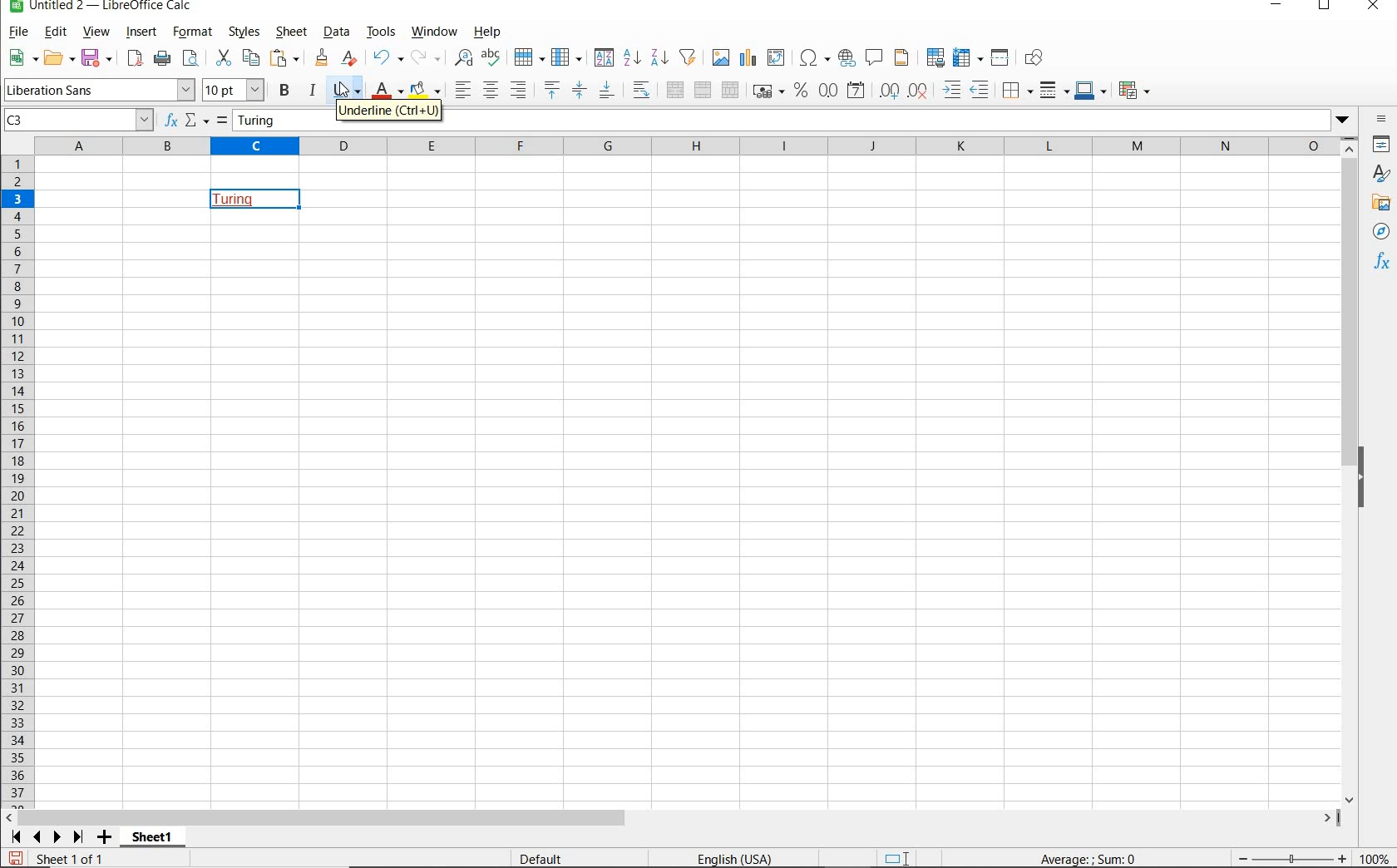 The image size is (1397, 868). What do you see at coordinates (323, 59) in the screenshot?
I see `CLEAR FORMATTING` at bounding box center [323, 59].